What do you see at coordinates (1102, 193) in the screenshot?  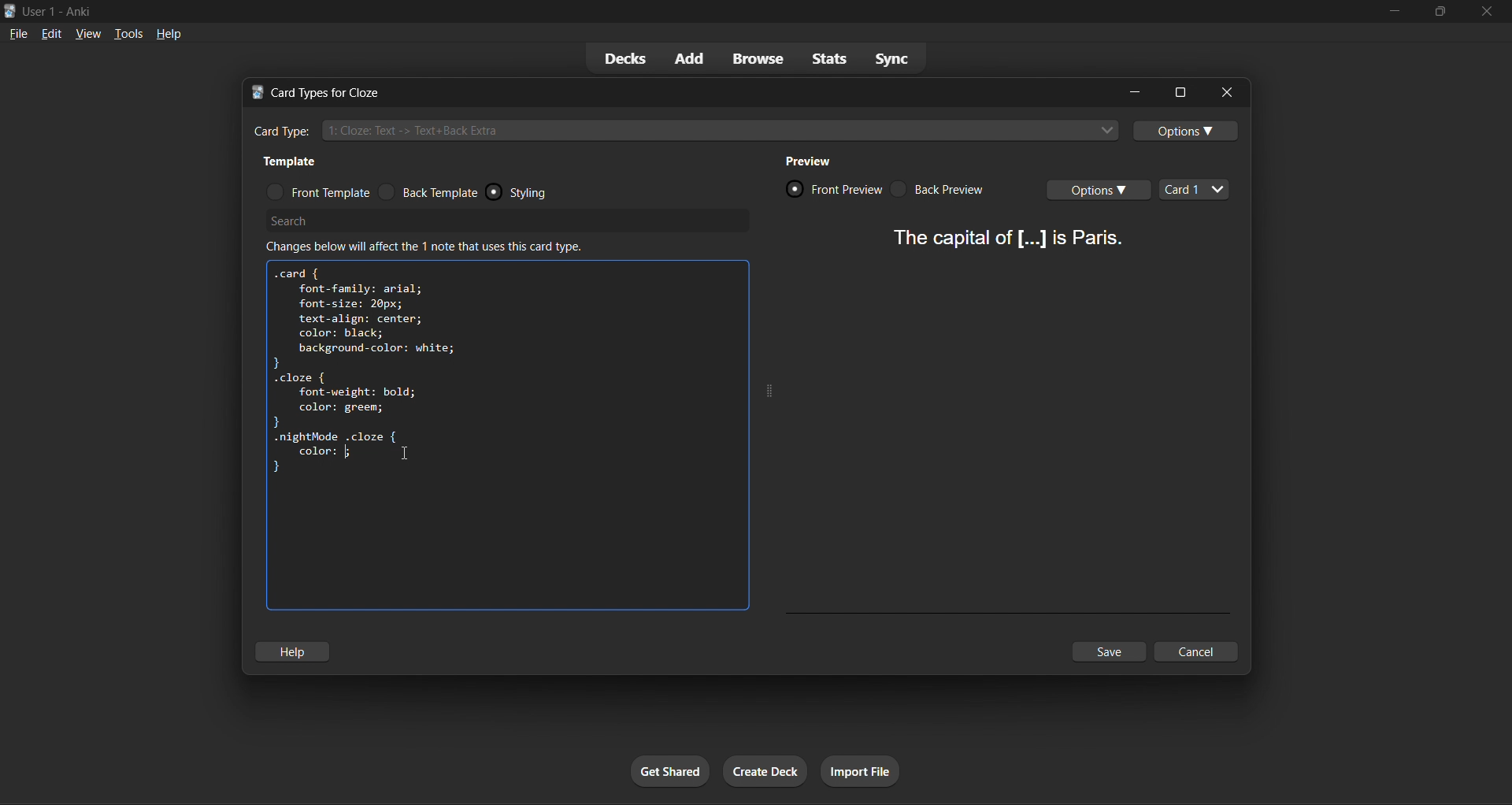 I see `card options` at bounding box center [1102, 193].